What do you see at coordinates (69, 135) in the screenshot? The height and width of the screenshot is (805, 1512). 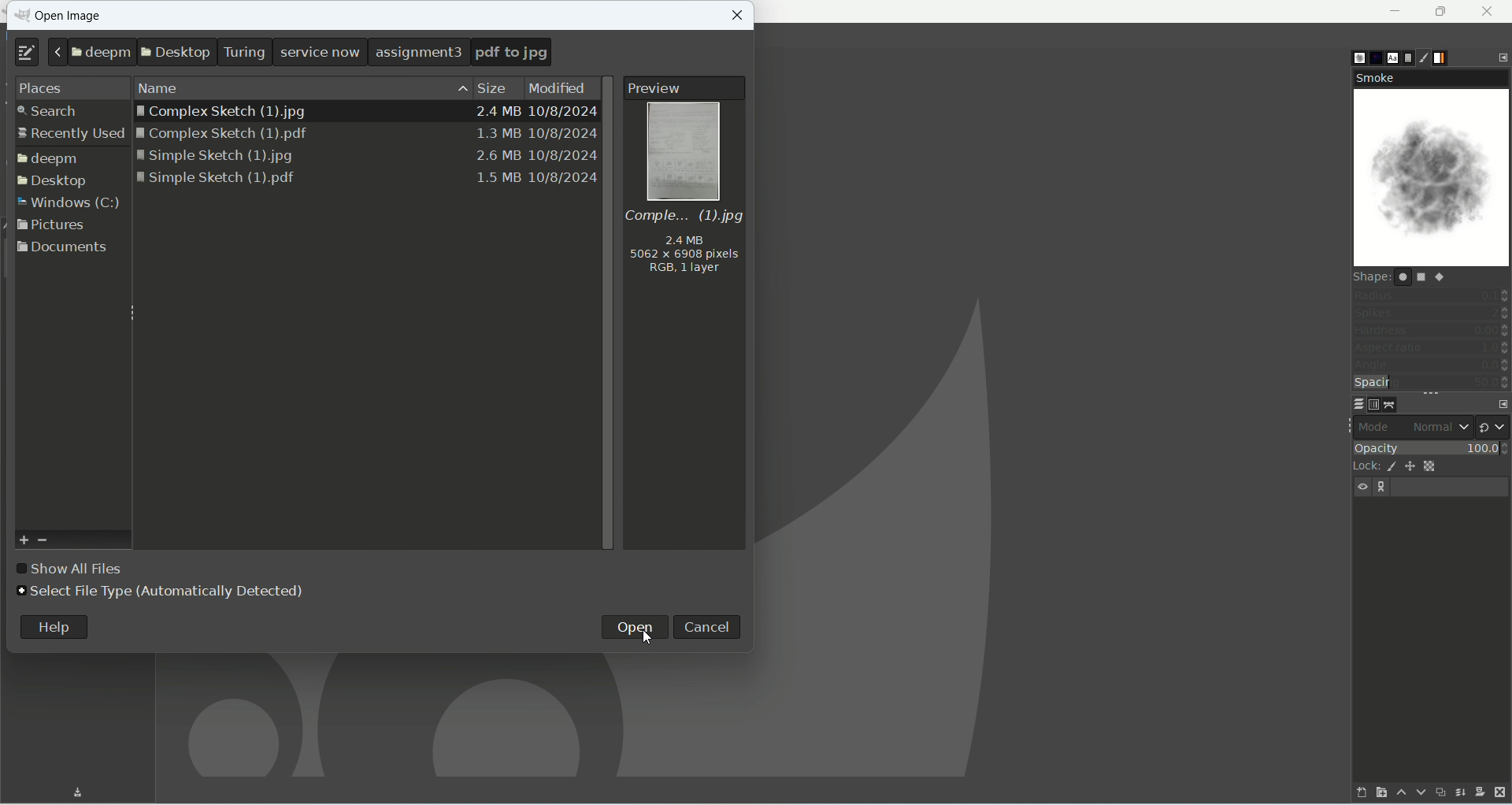 I see `ecently used` at bounding box center [69, 135].